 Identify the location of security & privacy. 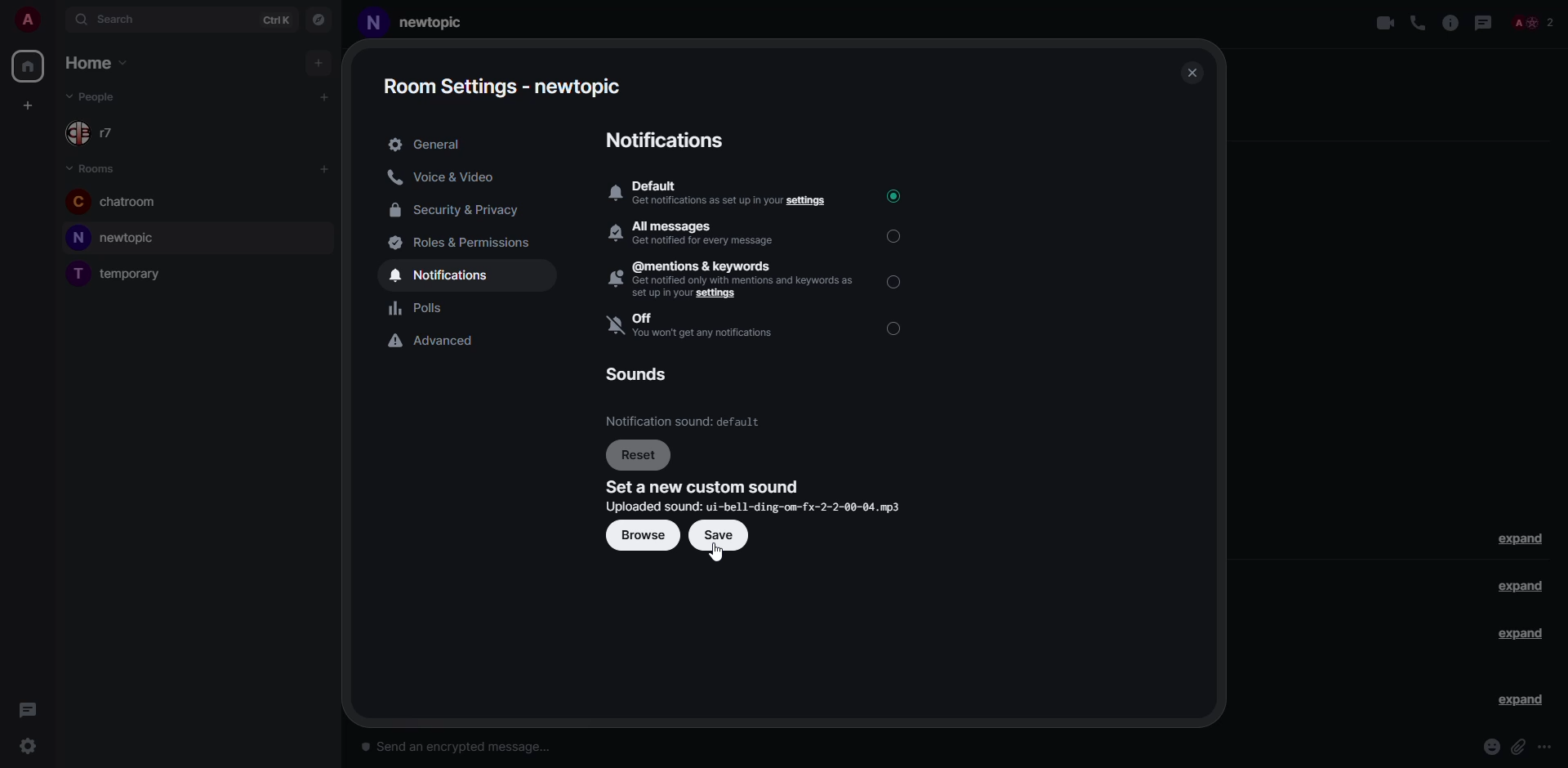
(457, 209).